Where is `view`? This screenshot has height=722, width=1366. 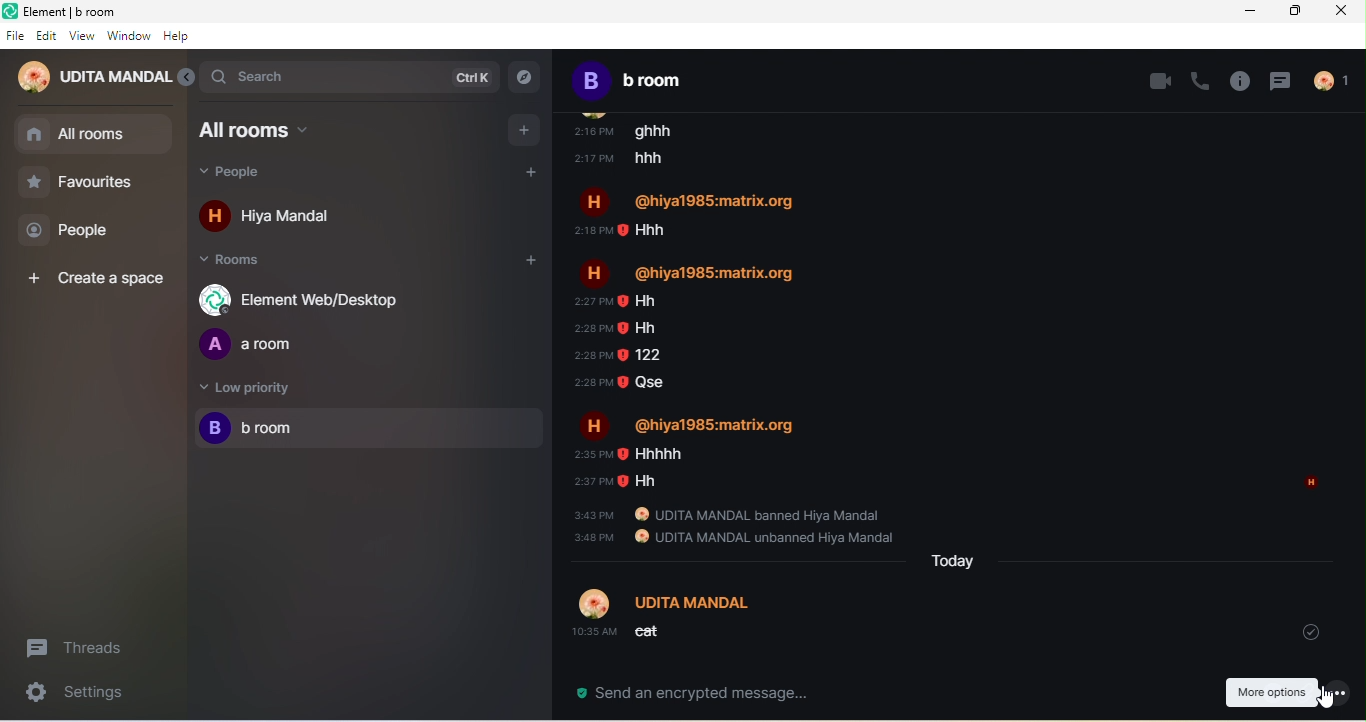
view is located at coordinates (82, 36).